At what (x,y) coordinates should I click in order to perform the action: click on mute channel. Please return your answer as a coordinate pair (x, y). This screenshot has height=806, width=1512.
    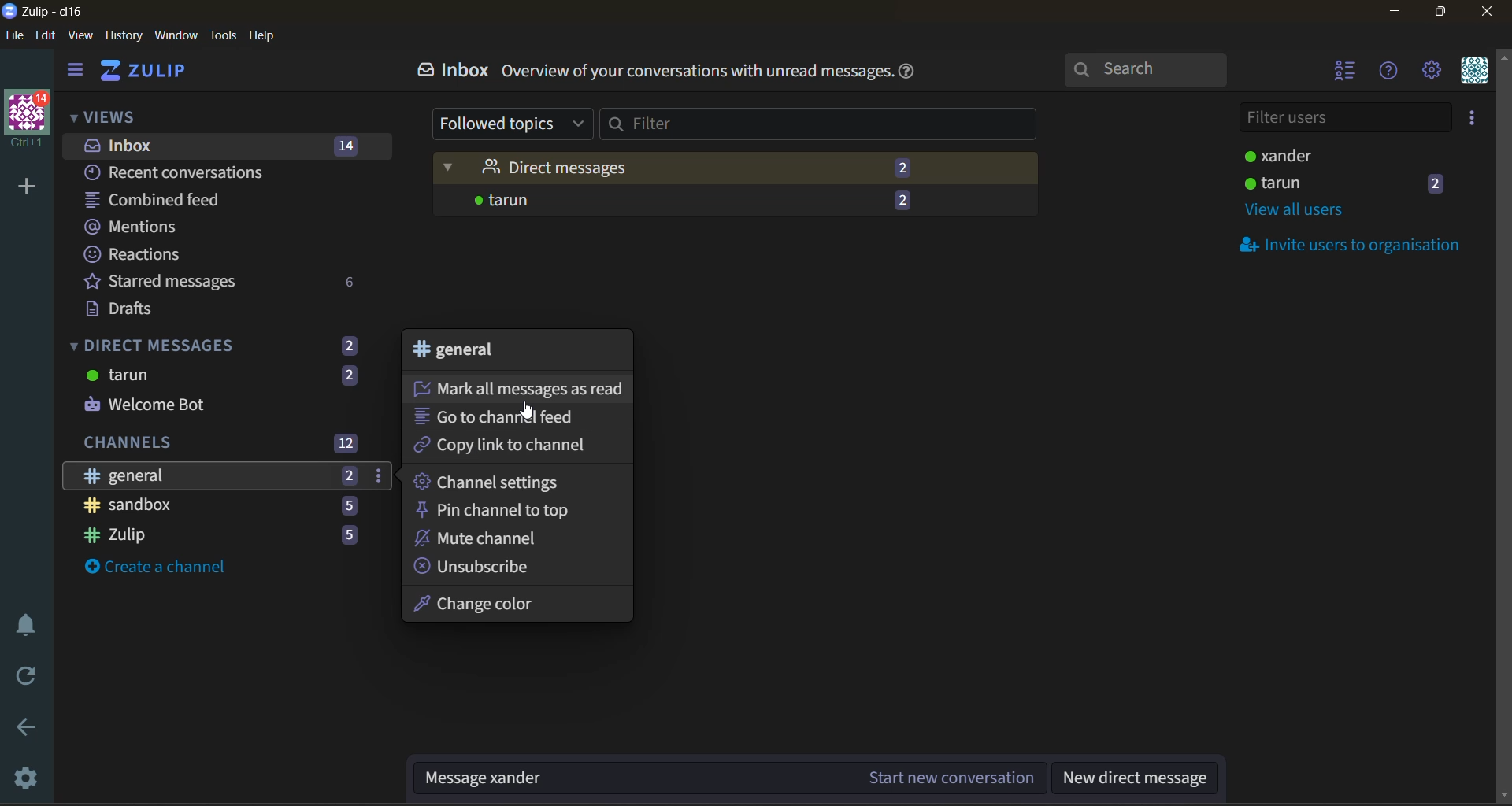
    Looking at the image, I should click on (496, 539).